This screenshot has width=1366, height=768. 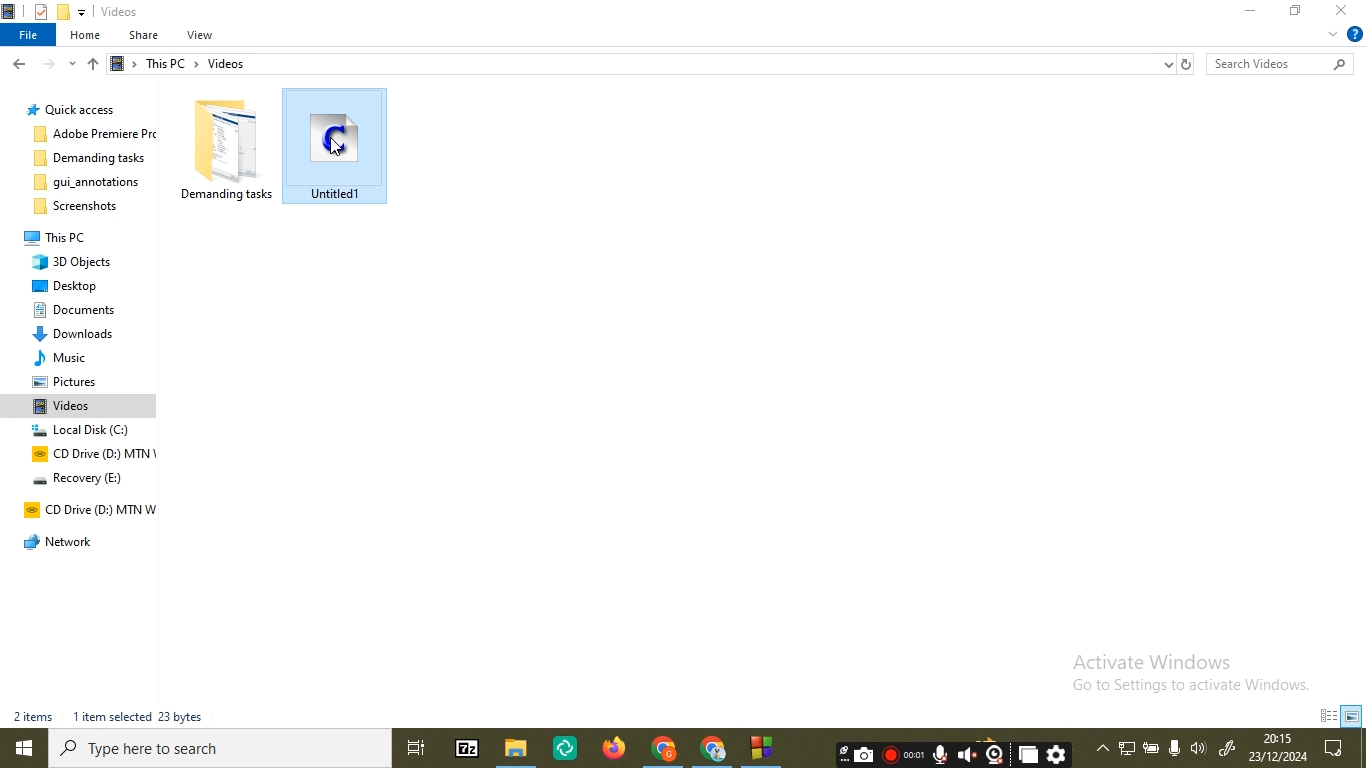 I want to click on folder, so click(x=78, y=430).